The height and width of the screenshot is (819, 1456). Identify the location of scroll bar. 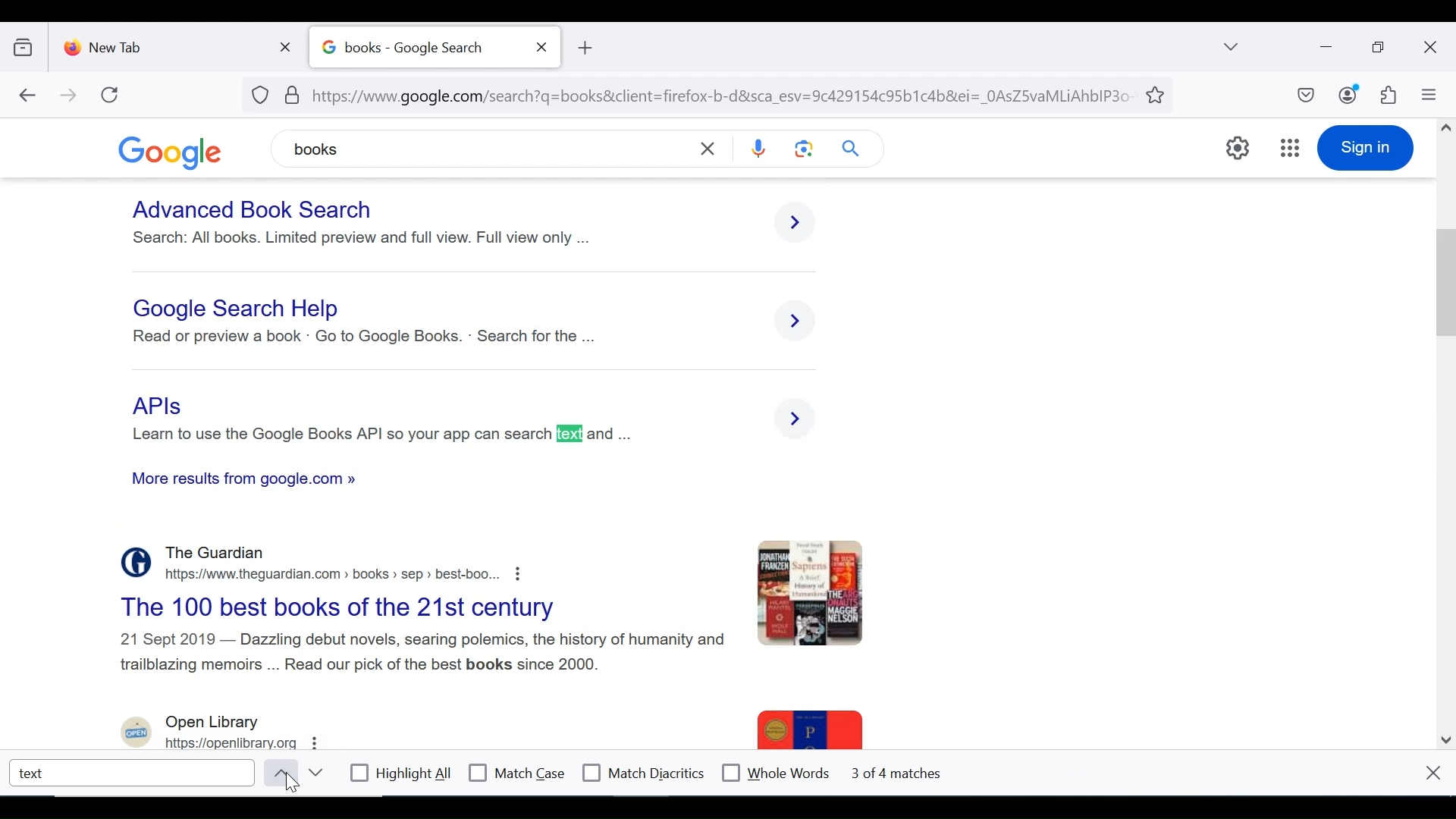
(1443, 428).